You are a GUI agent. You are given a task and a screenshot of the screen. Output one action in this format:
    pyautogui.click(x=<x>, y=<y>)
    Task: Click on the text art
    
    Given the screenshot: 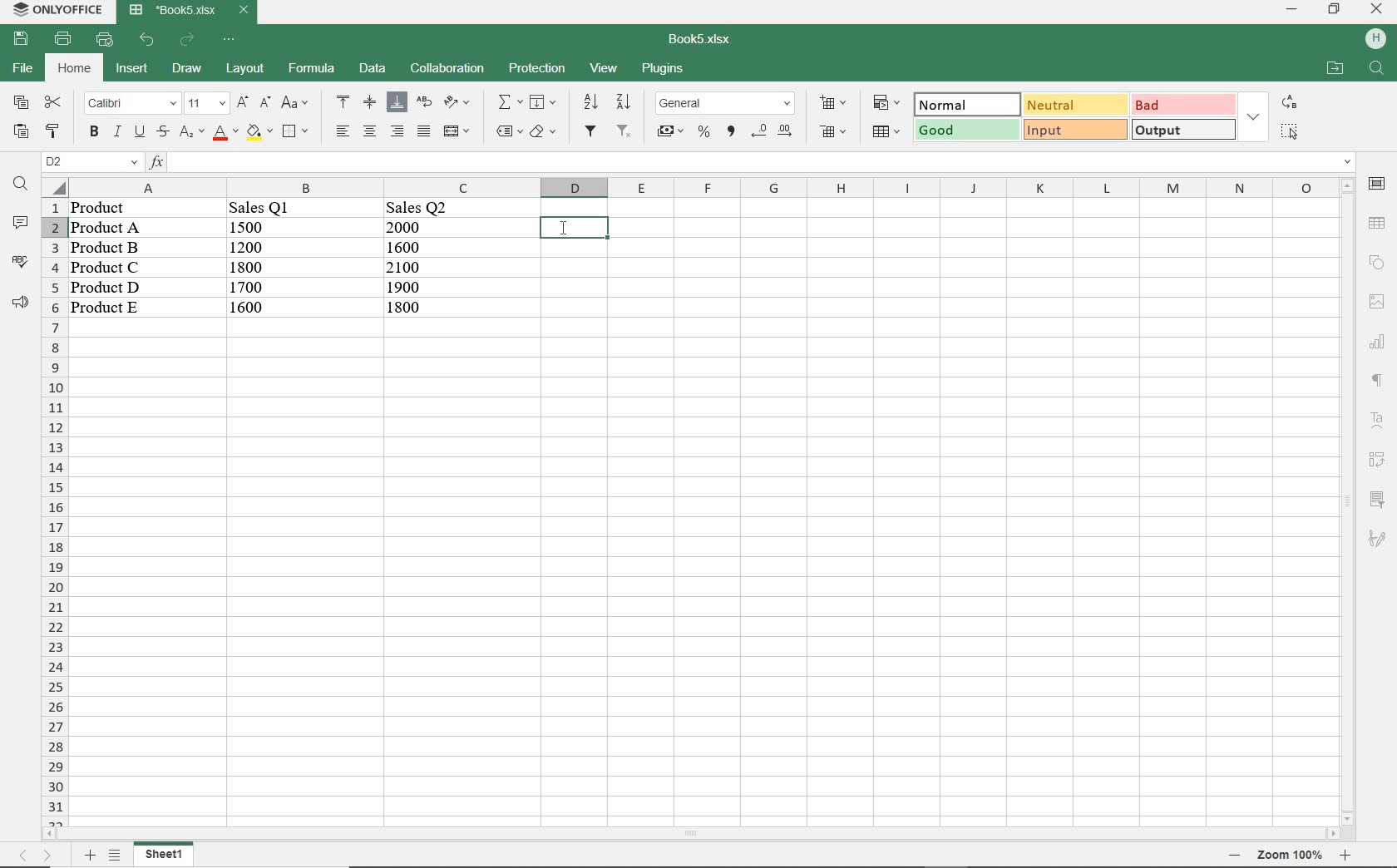 What is the action you would take?
    pyautogui.click(x=1379, y=420)
    